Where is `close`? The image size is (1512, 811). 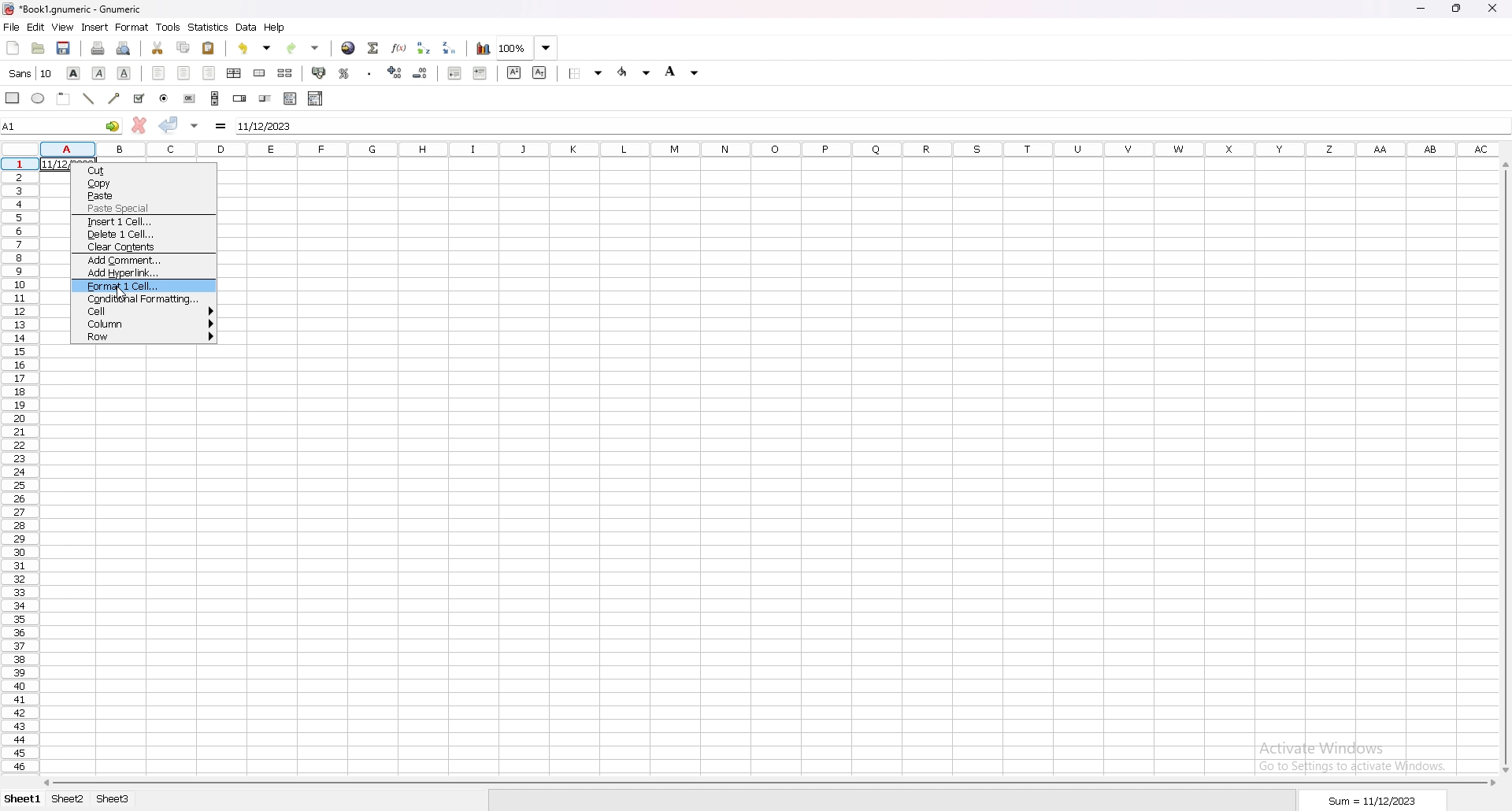 close is located at coordinates (1494, 9).